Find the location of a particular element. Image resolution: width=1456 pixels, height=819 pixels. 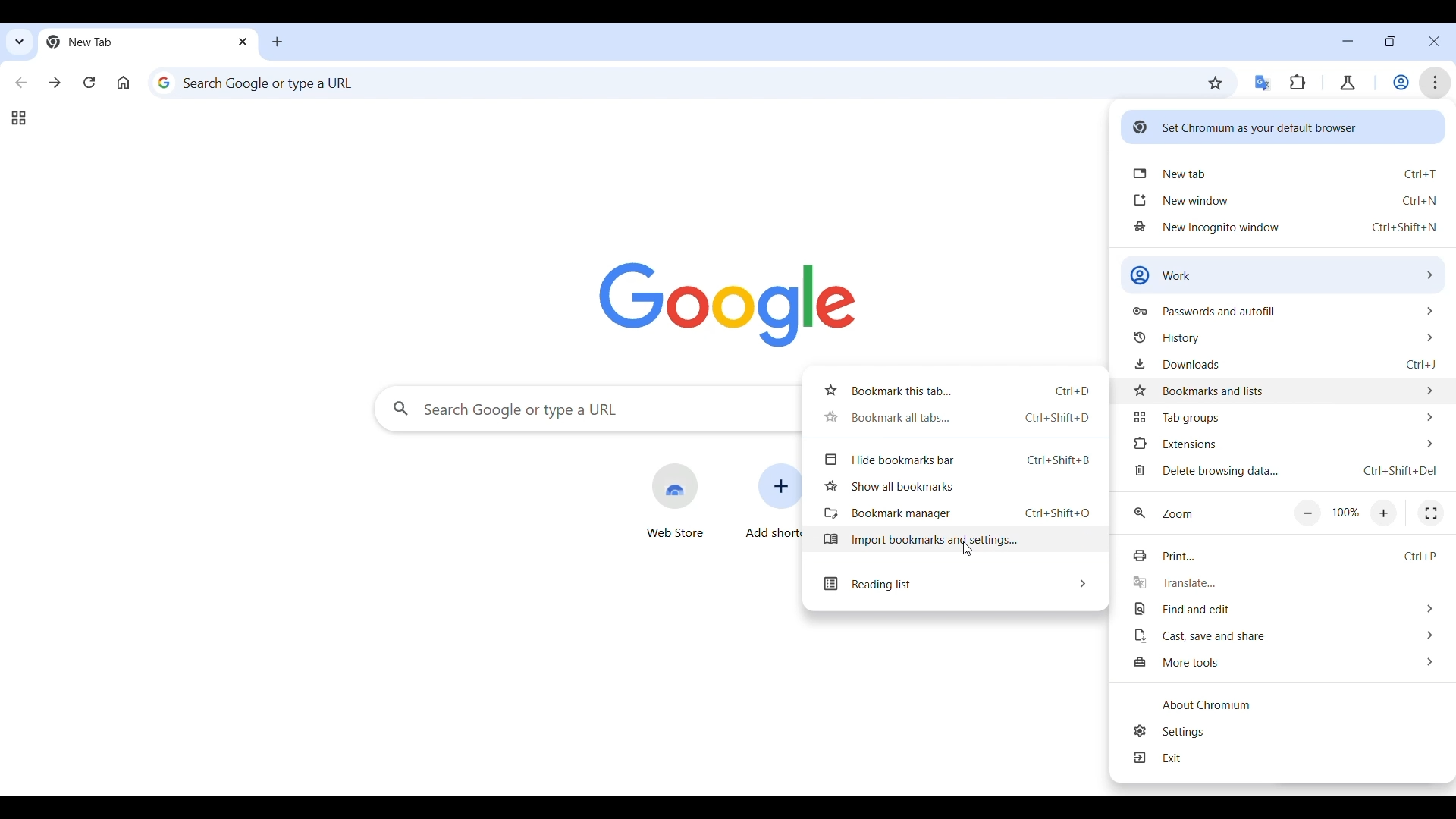

Extensions is located at coordinates (1285, 444).